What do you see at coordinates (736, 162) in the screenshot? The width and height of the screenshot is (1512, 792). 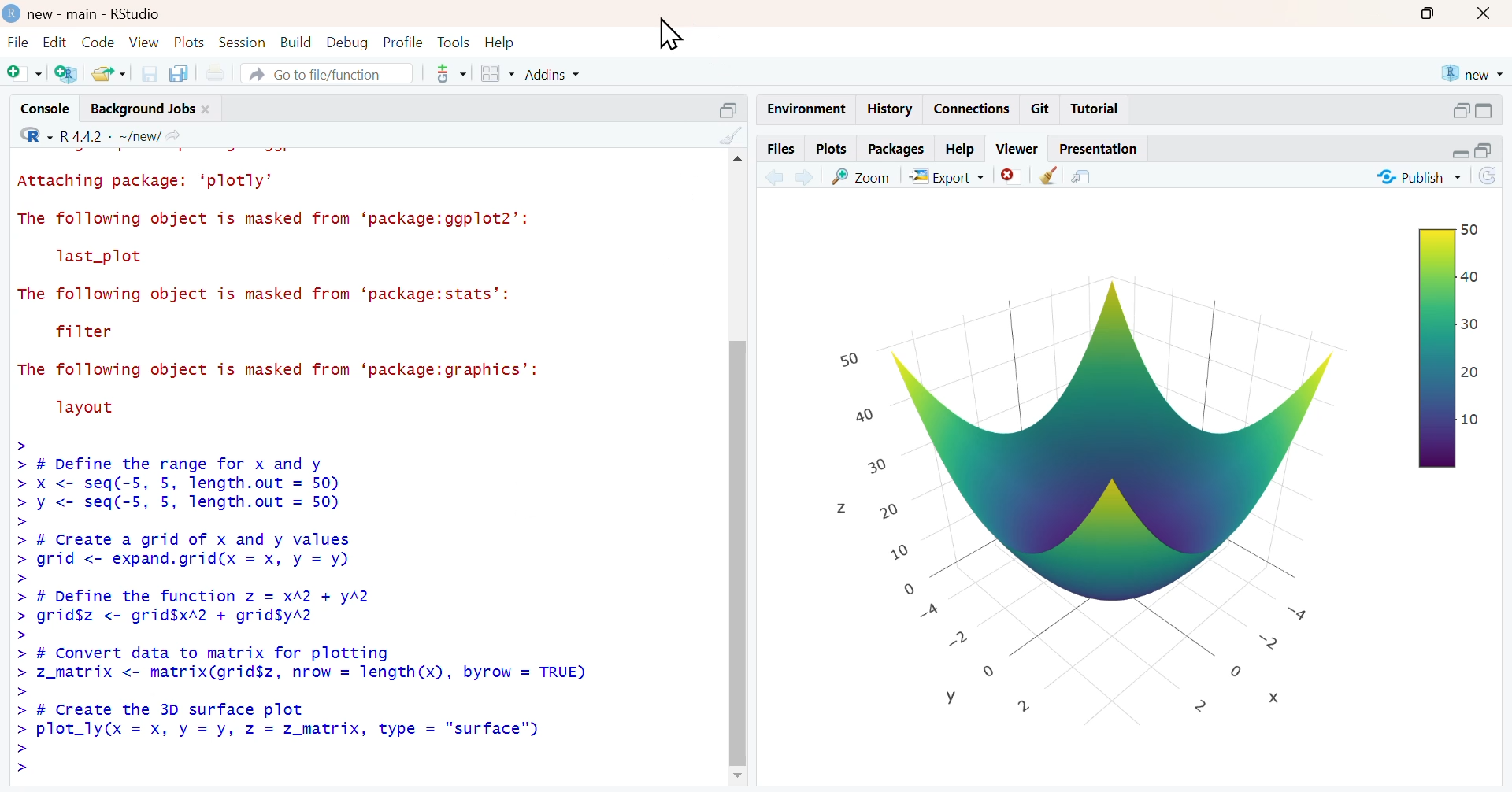 I see `move up` at bounding box center [736, 162].